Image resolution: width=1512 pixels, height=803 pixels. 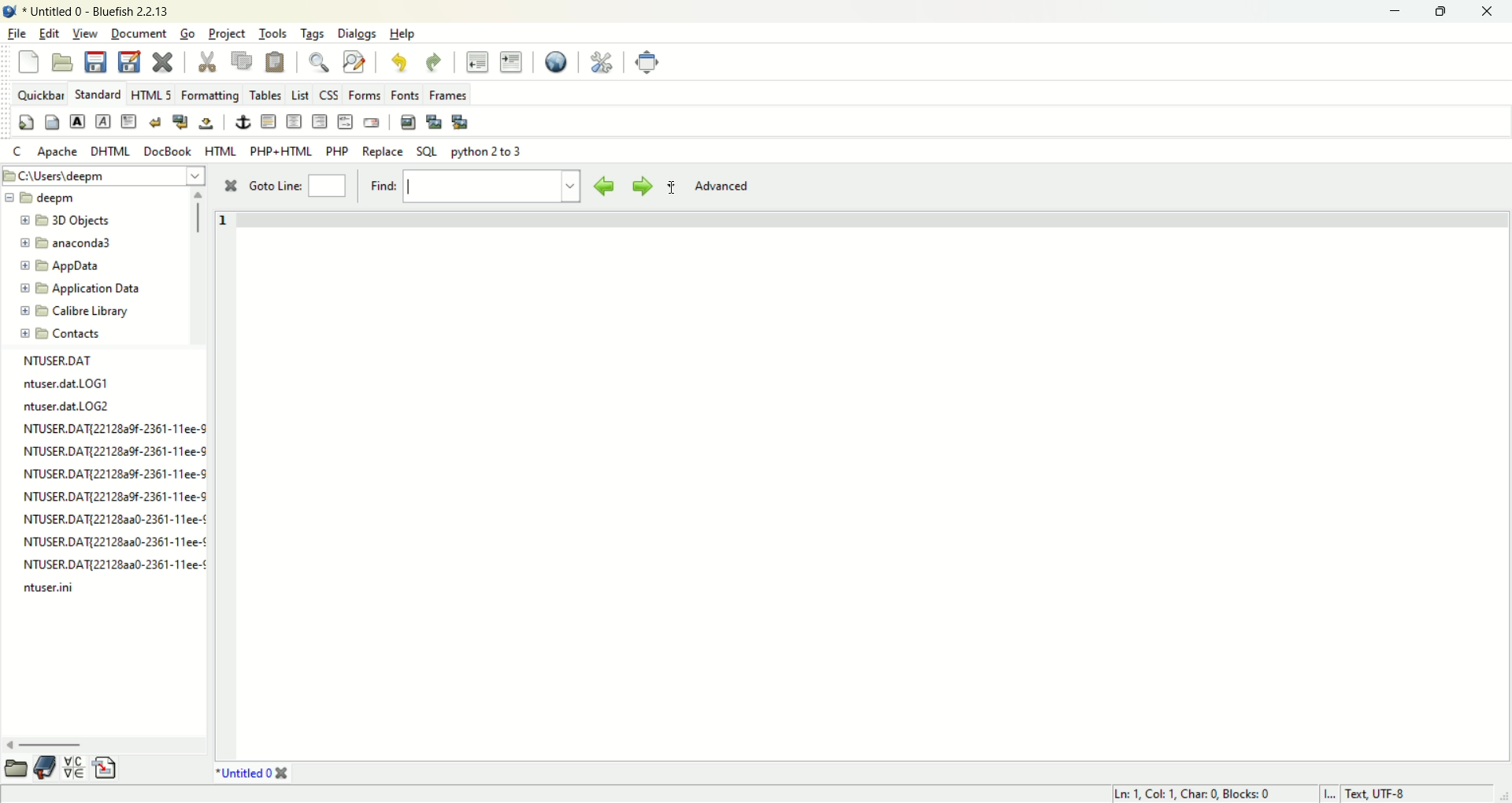 I want to click on line number, so click(x=222, y=236).